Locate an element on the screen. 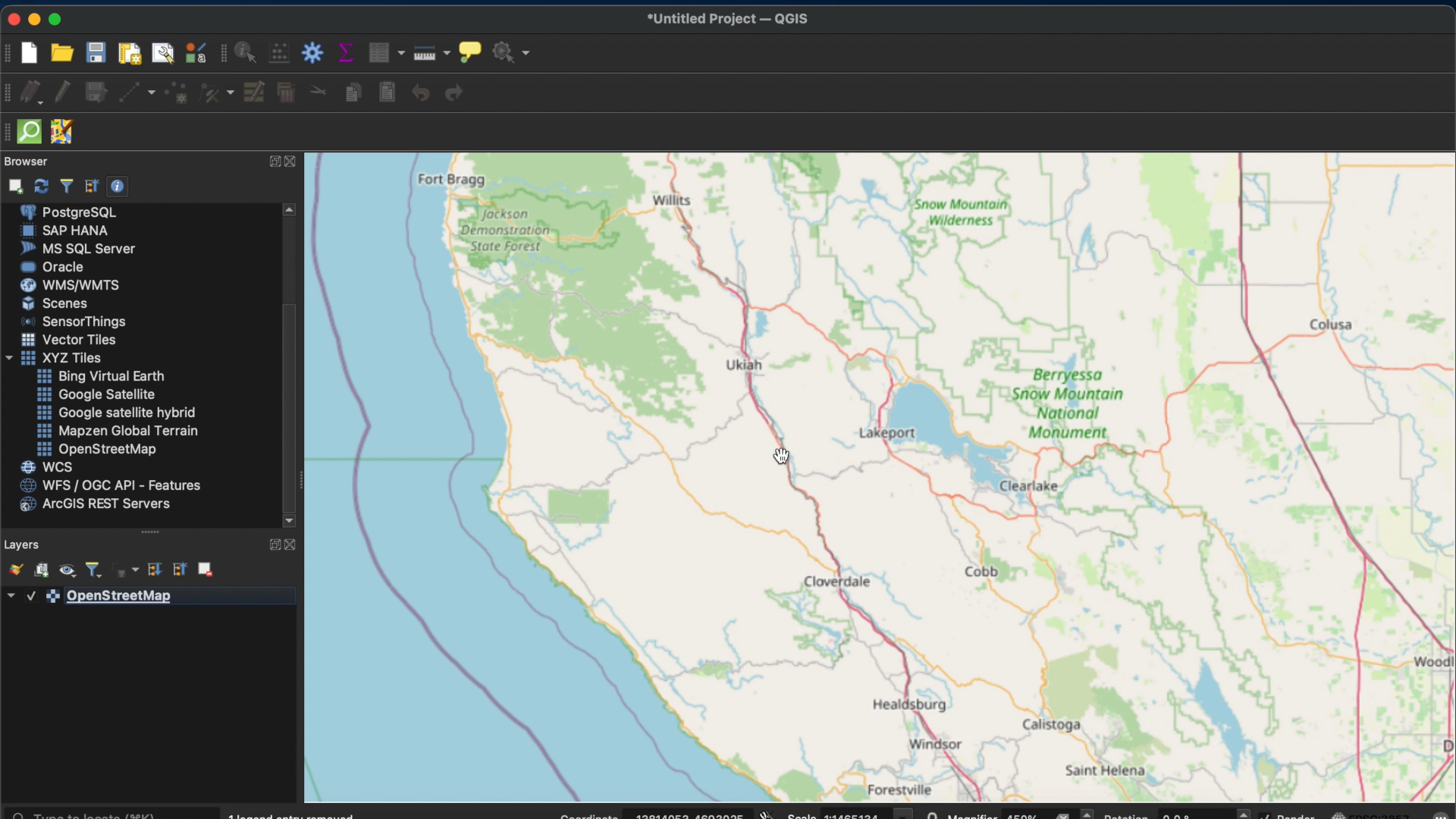 This screenshot has height=819, width=1456. add point feature is located at coordinates (177, 93).